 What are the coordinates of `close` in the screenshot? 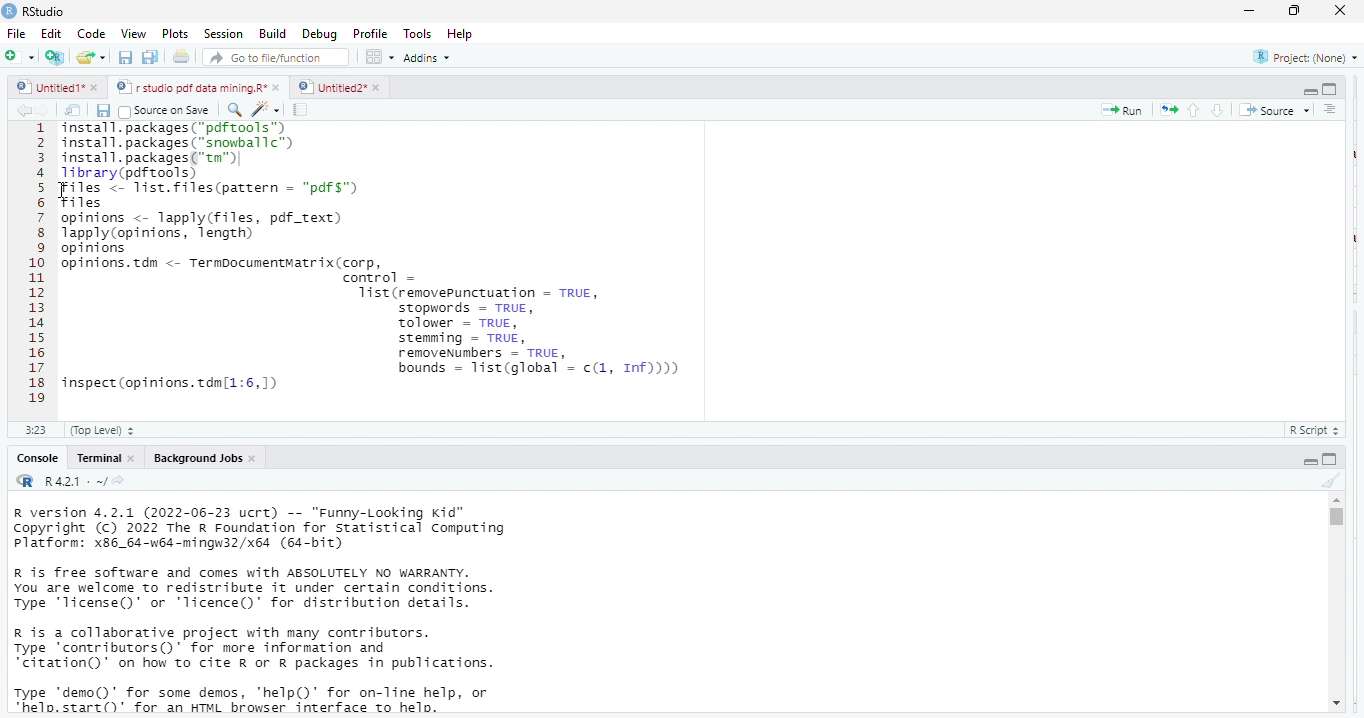 It's located at (1342, 11).